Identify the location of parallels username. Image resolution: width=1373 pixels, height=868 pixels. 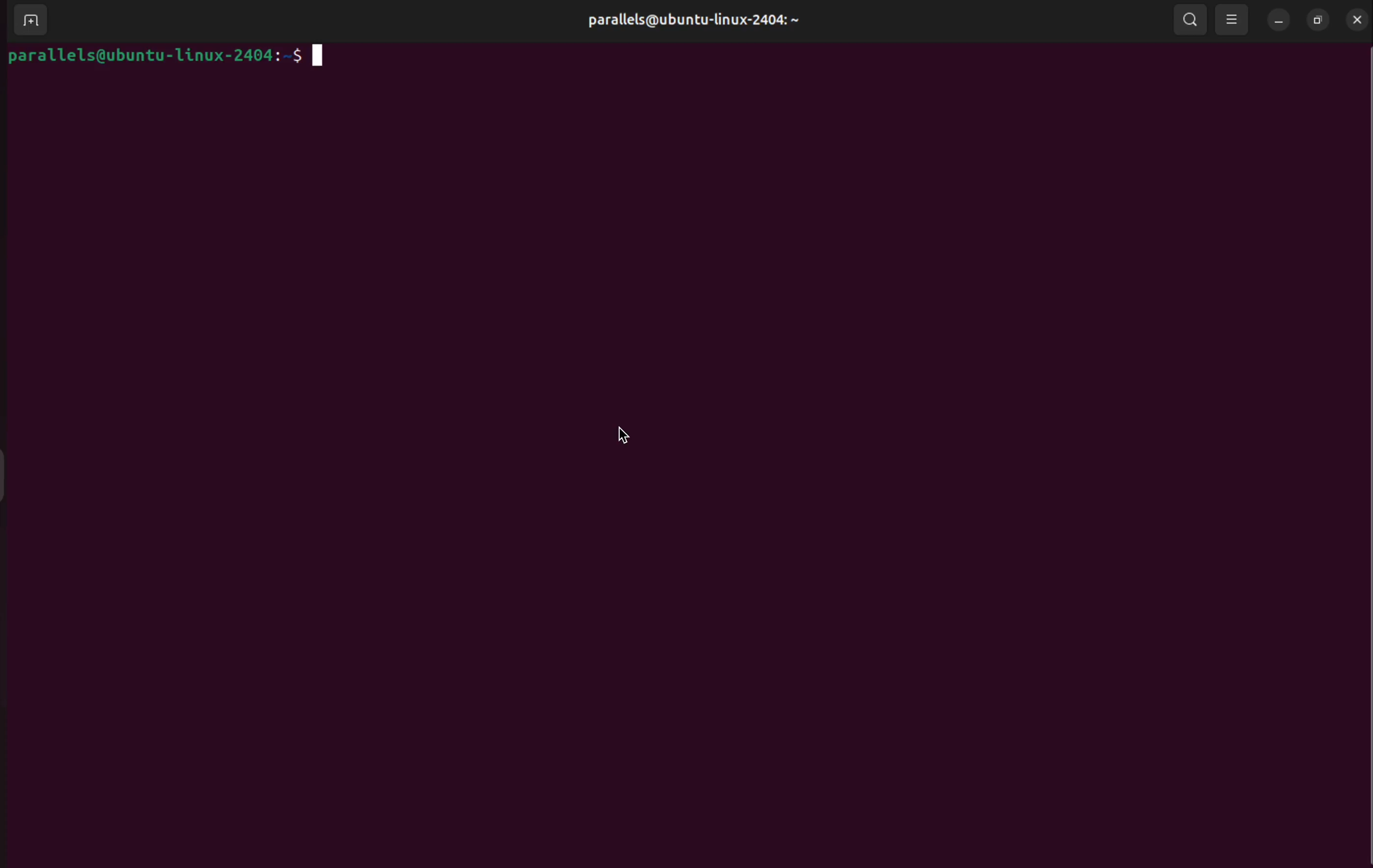
(691, 21).